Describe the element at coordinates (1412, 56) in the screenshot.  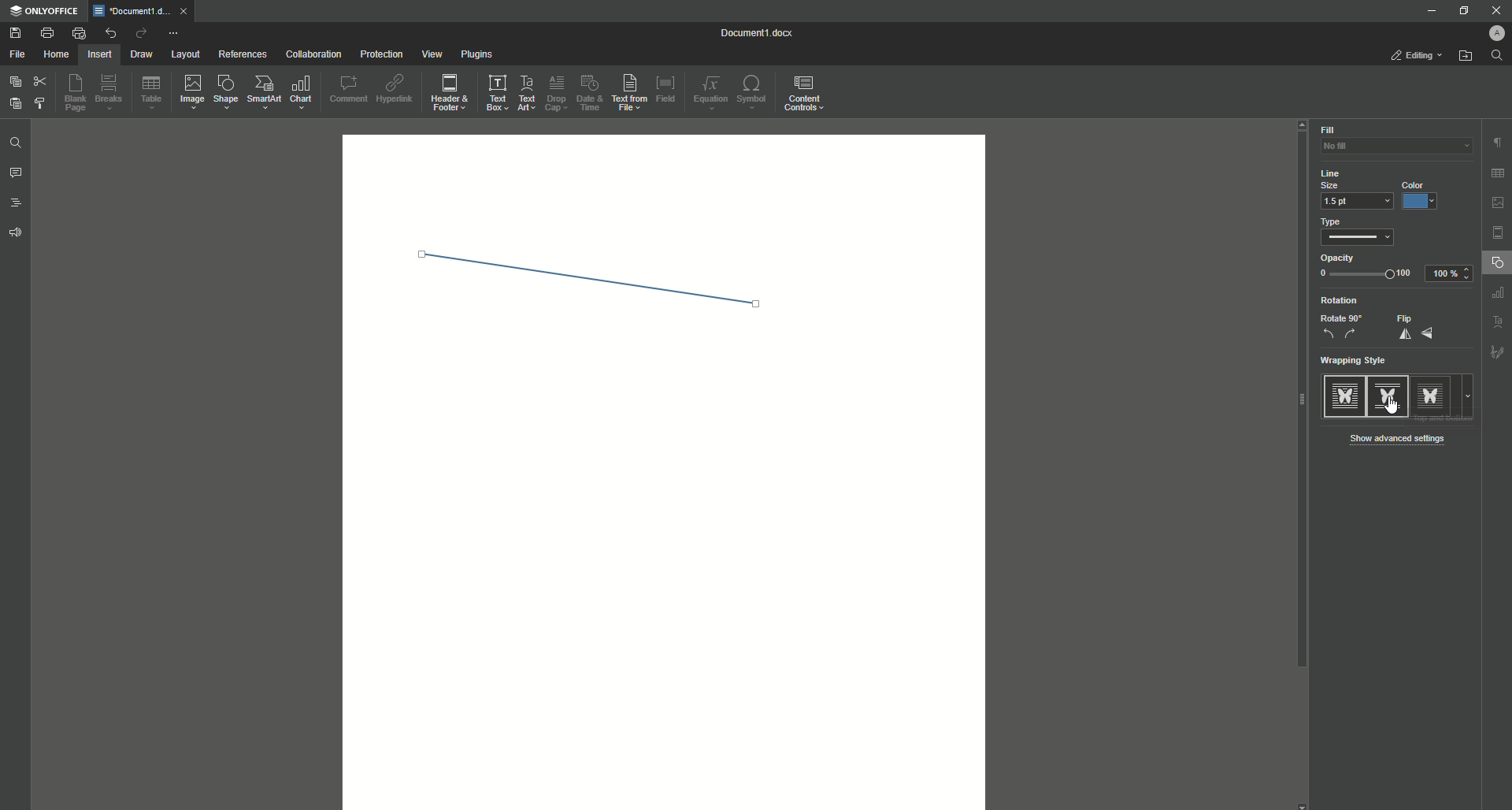
I see `Editing` at that location.